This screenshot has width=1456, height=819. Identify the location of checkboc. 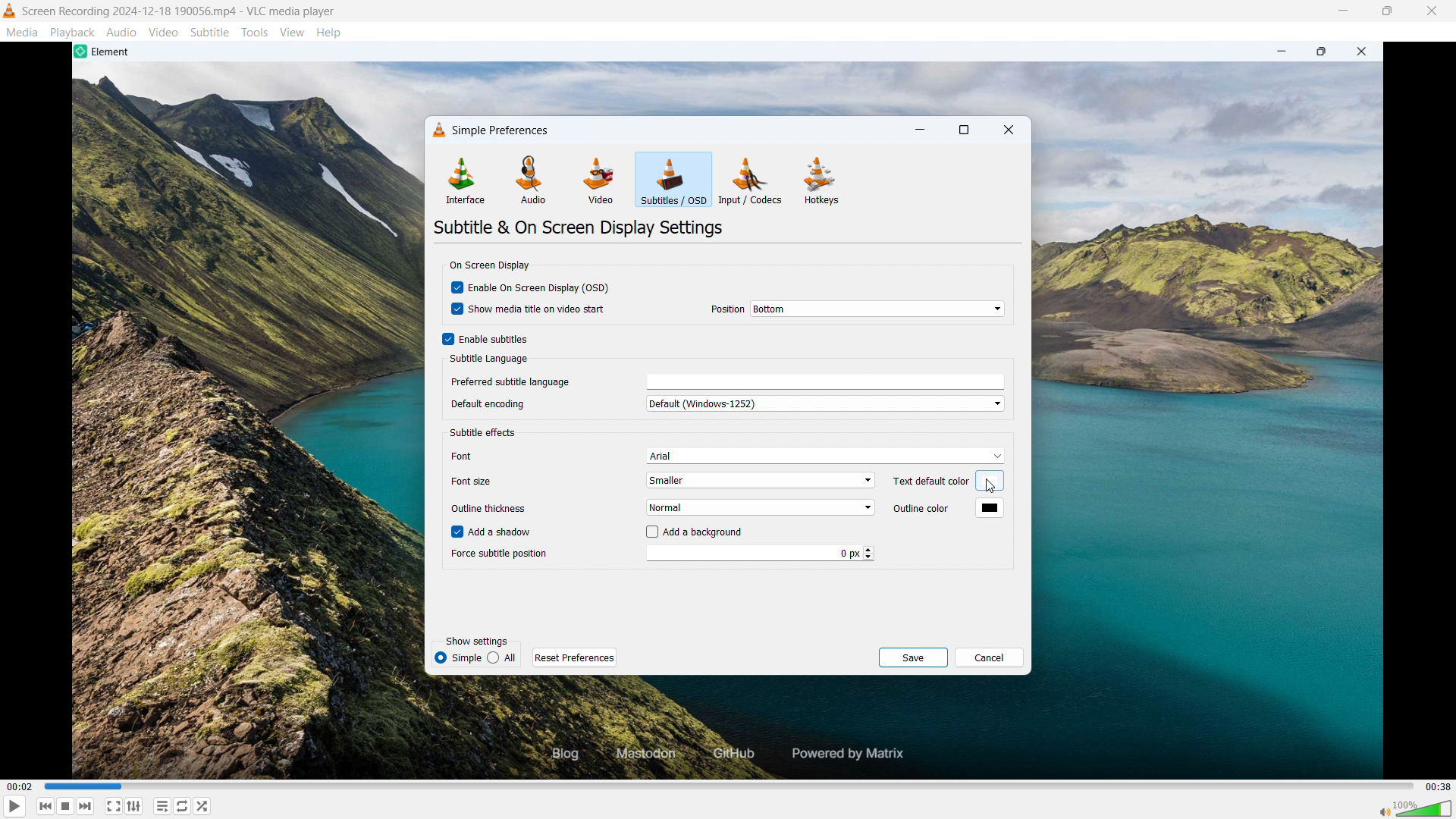
(454, 289).